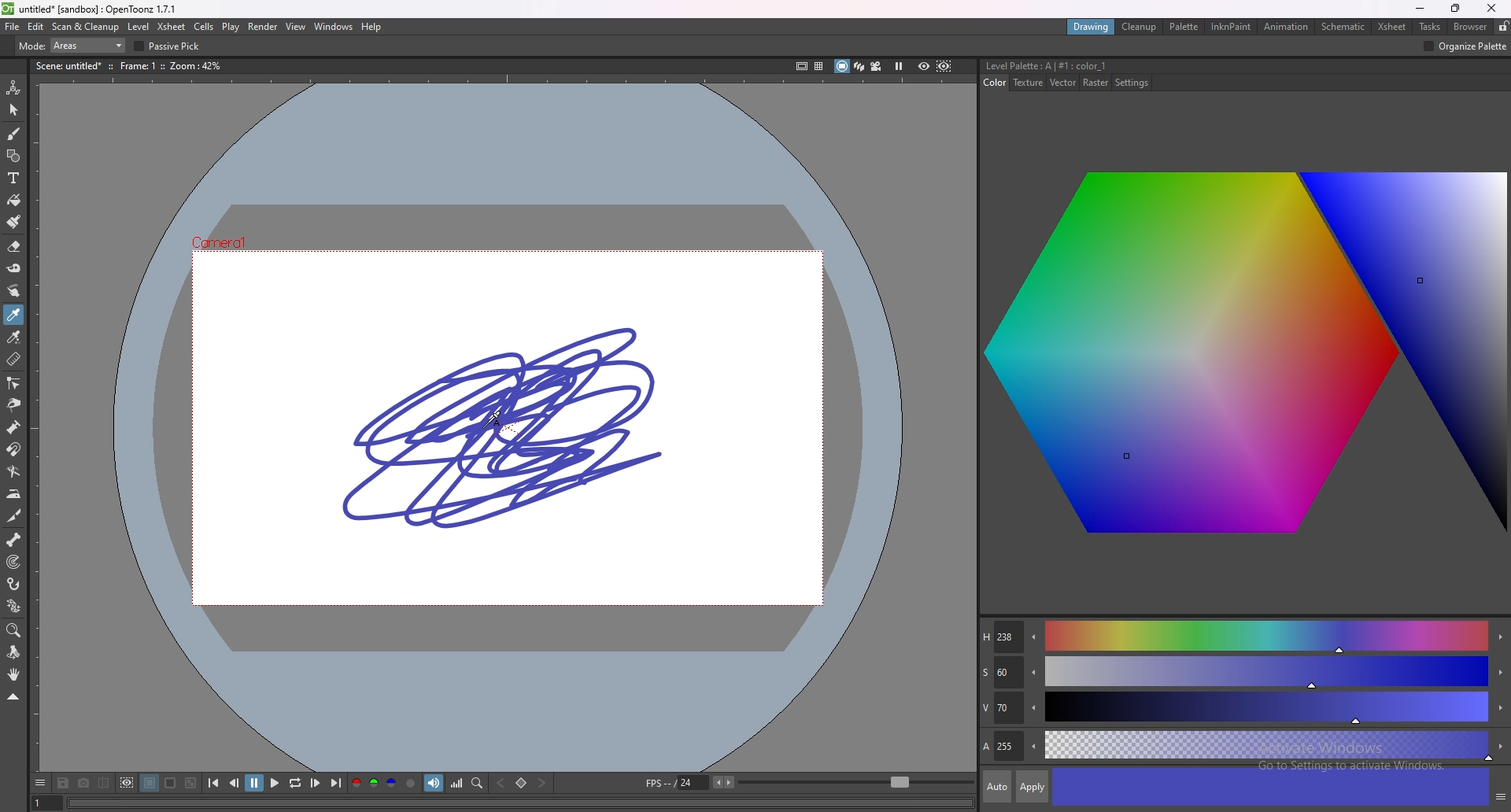 This screenshot has height=812, width=1511. Describe the element at coordinates (212, 46) in the screenshot. I see `mode` at that location.